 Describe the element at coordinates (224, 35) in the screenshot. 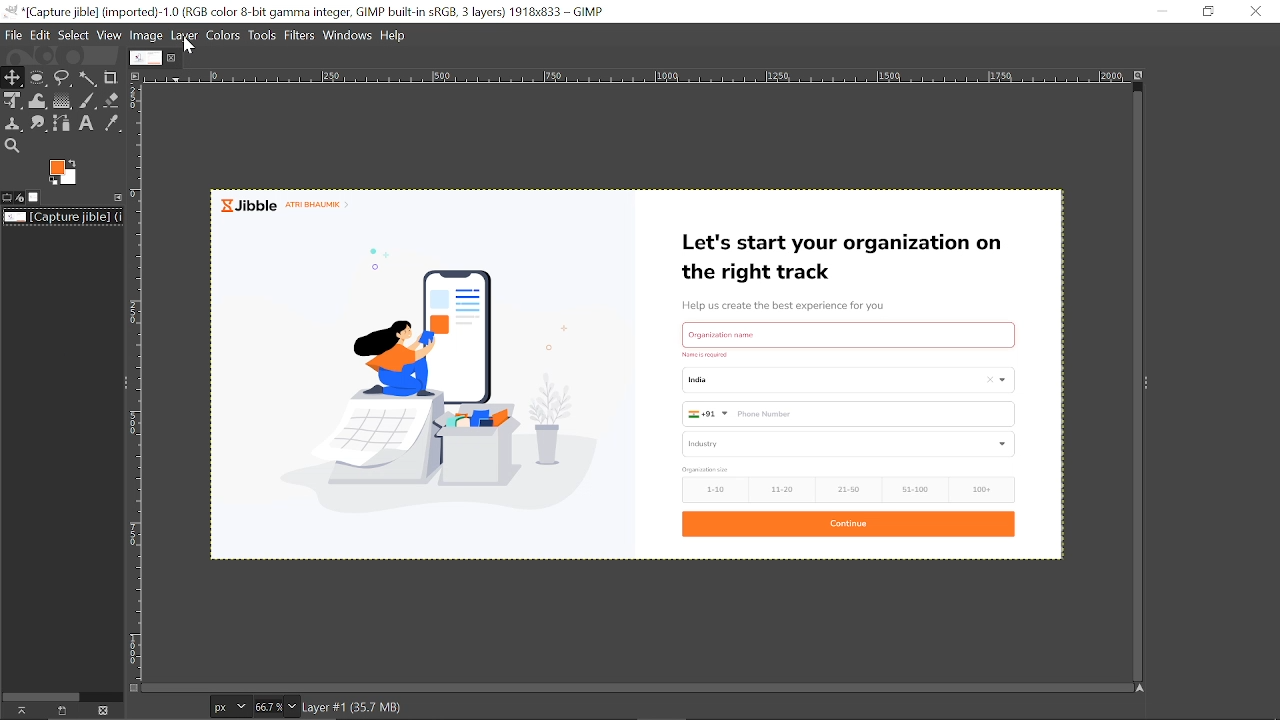

I see `Colors` at that location.